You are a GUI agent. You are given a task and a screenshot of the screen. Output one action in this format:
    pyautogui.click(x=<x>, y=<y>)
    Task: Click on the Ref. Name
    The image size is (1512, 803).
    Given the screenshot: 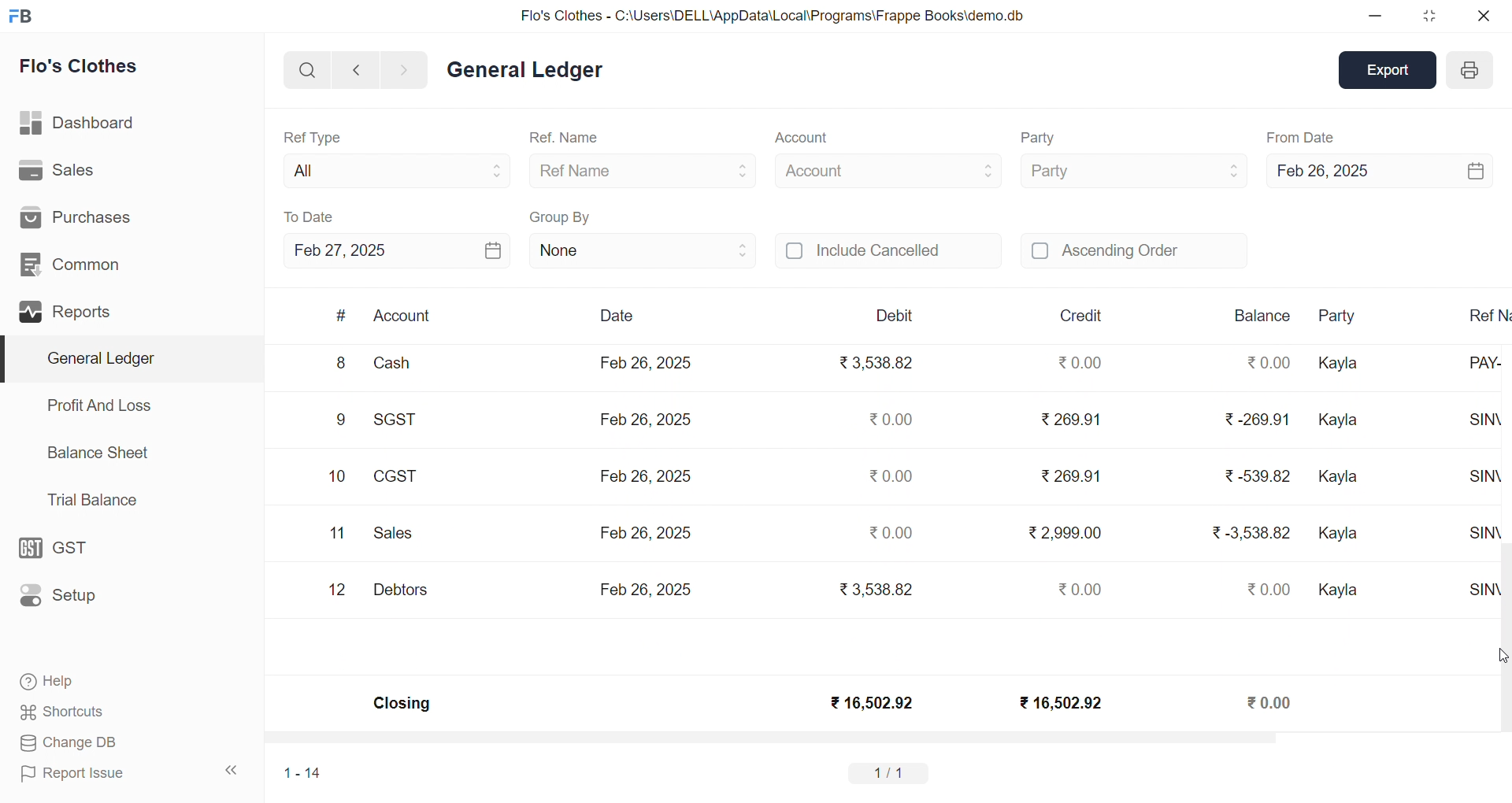 What is the action you would take?
    pyautogui.click(x=565, y=139)
    